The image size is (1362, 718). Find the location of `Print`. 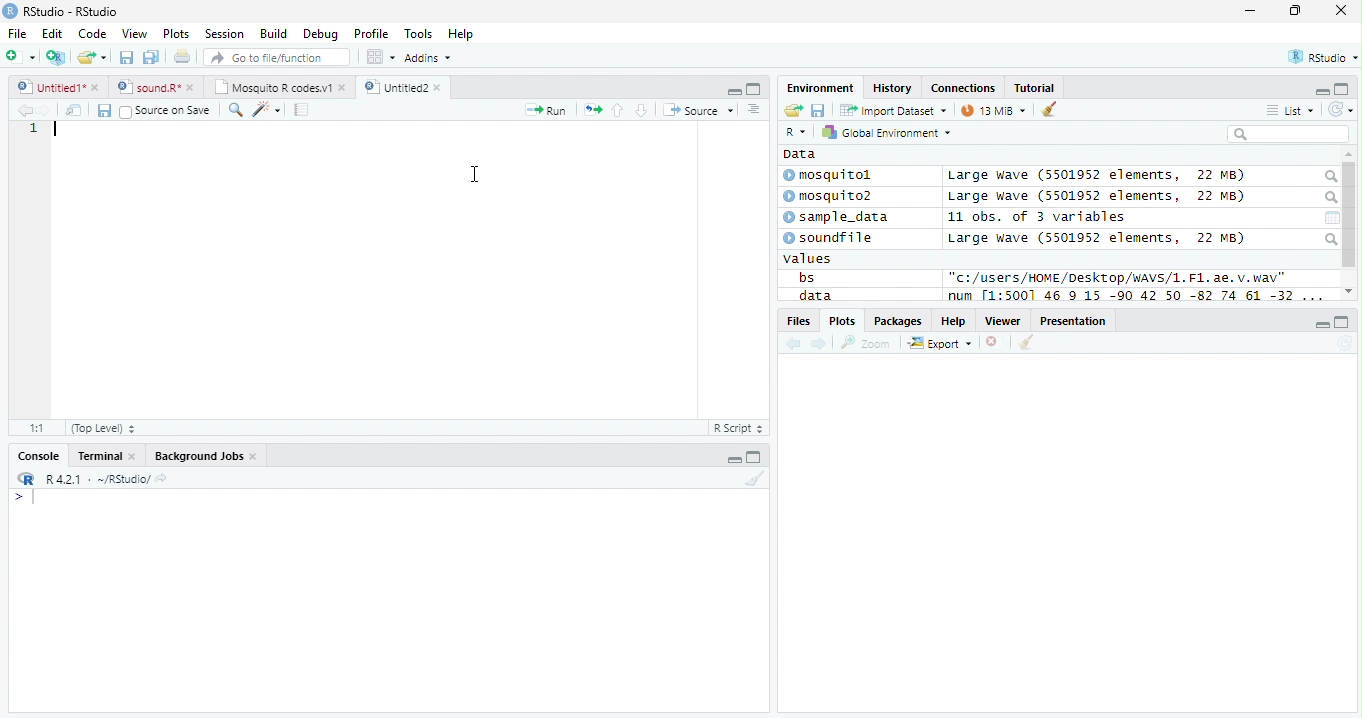

Print is located at coordinates (183, 58).